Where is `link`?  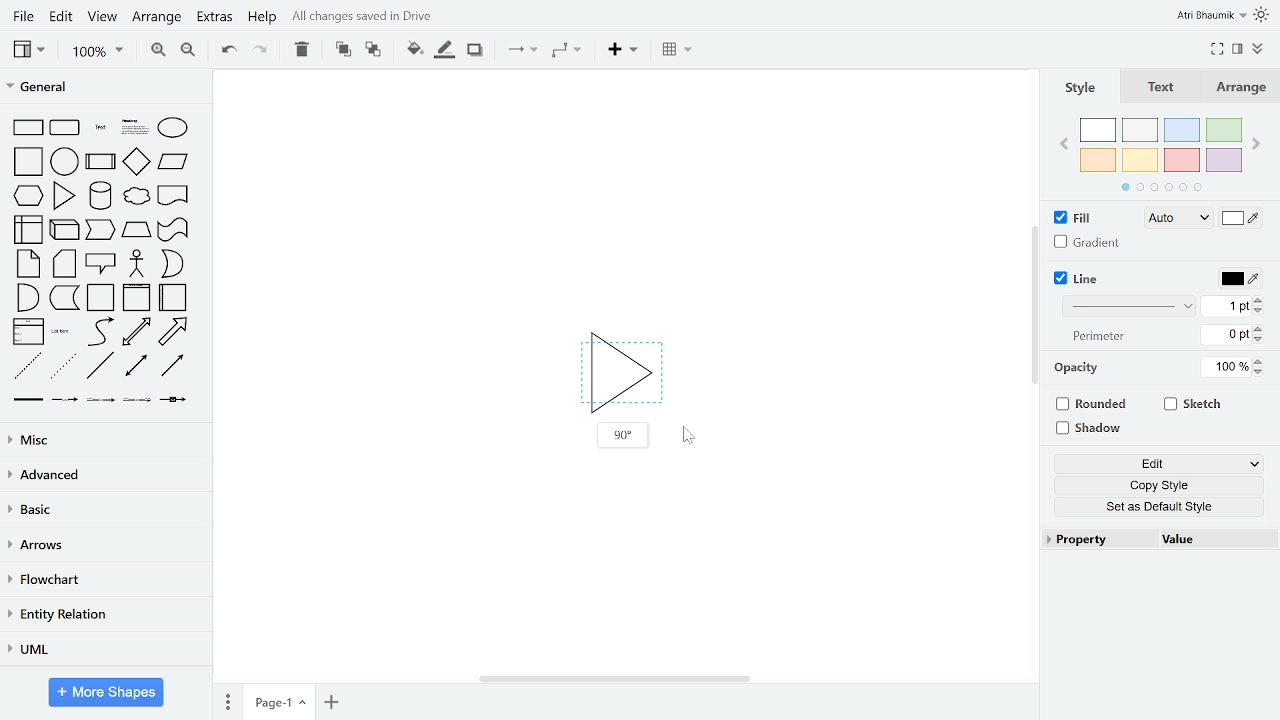
link is located at coordinates (27, 402).